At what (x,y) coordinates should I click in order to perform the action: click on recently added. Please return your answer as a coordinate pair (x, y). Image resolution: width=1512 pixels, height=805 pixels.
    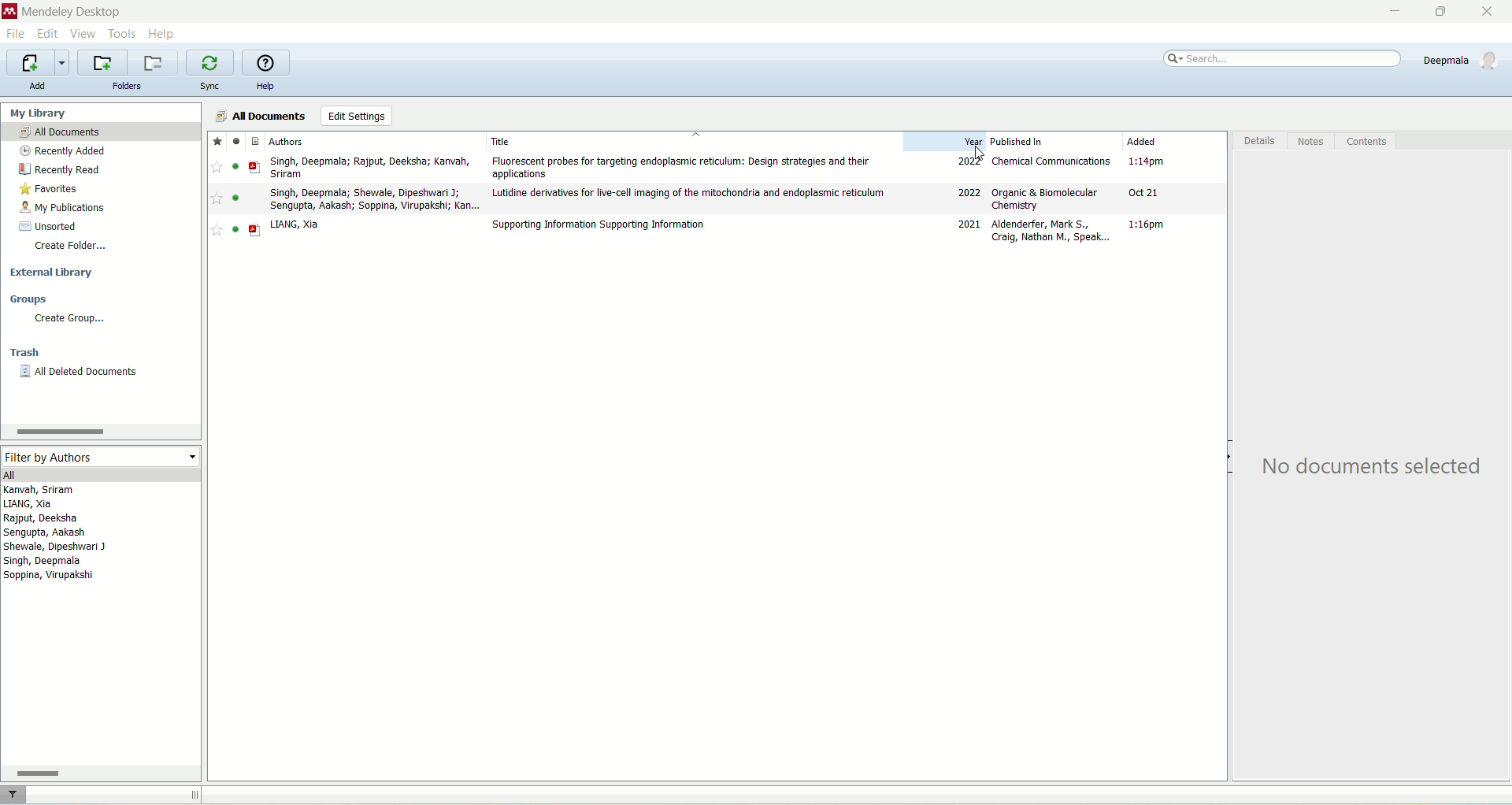
    Looking at the image, I should click on (62, 150).